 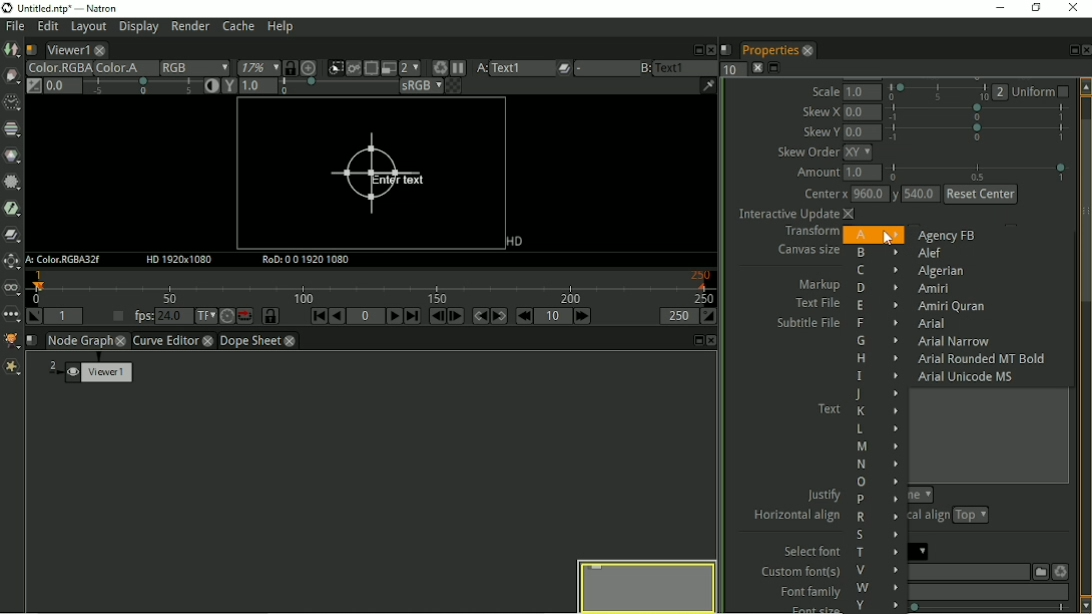 What do you see at coordinates (158, 315) in the screenshot?
I see `fps` at bounding box center [158, 315].